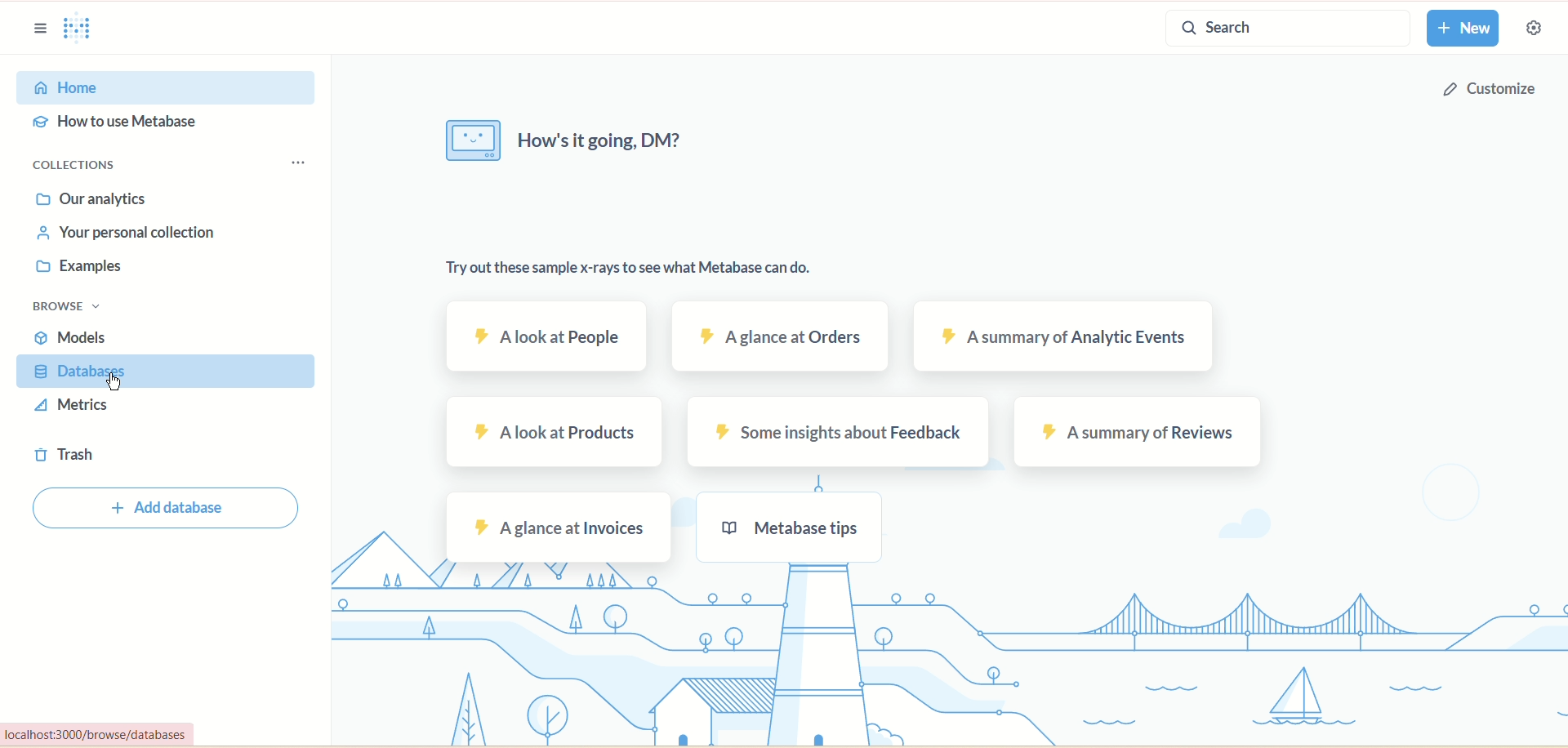  What do you see at coordinates (129, 233) in the screenshot?
I see `your personal collection` at bounding box center [129, 233].